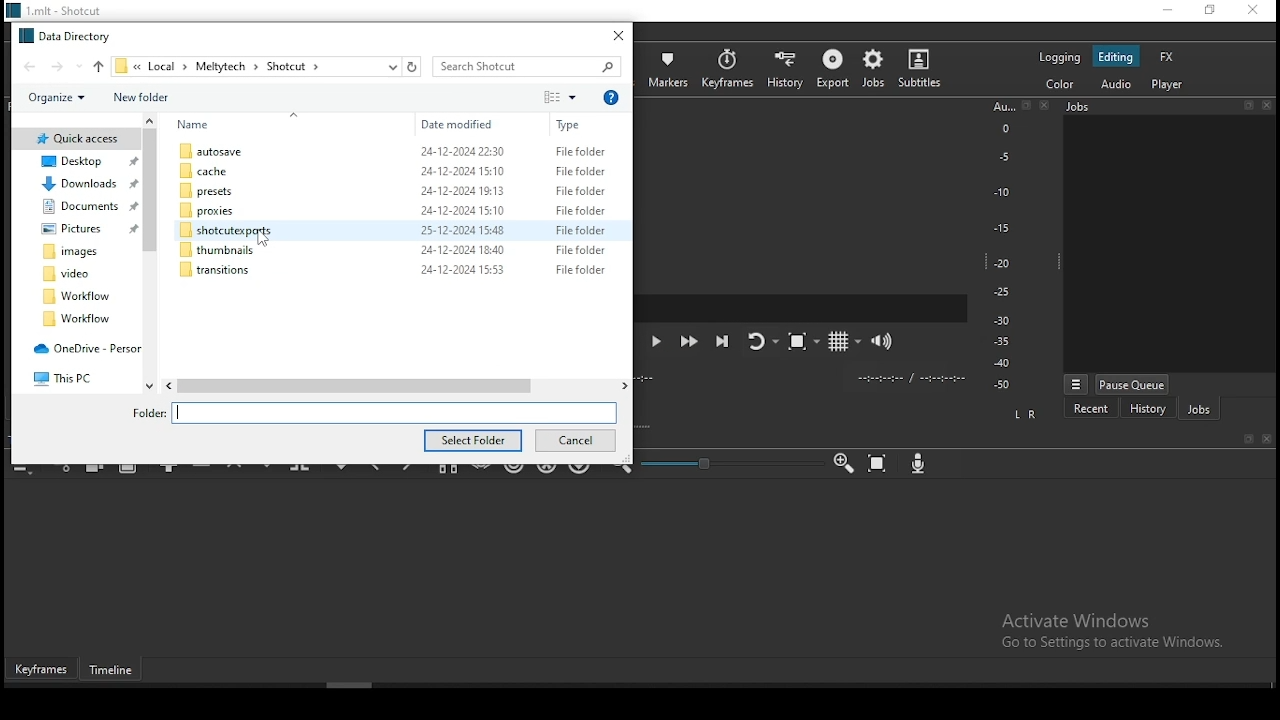 This screenshot has height=720, width=1280. What do you see at coordinates (82, 185) in the screenshot?
I see `local folder` at bounding box center [82, 185].